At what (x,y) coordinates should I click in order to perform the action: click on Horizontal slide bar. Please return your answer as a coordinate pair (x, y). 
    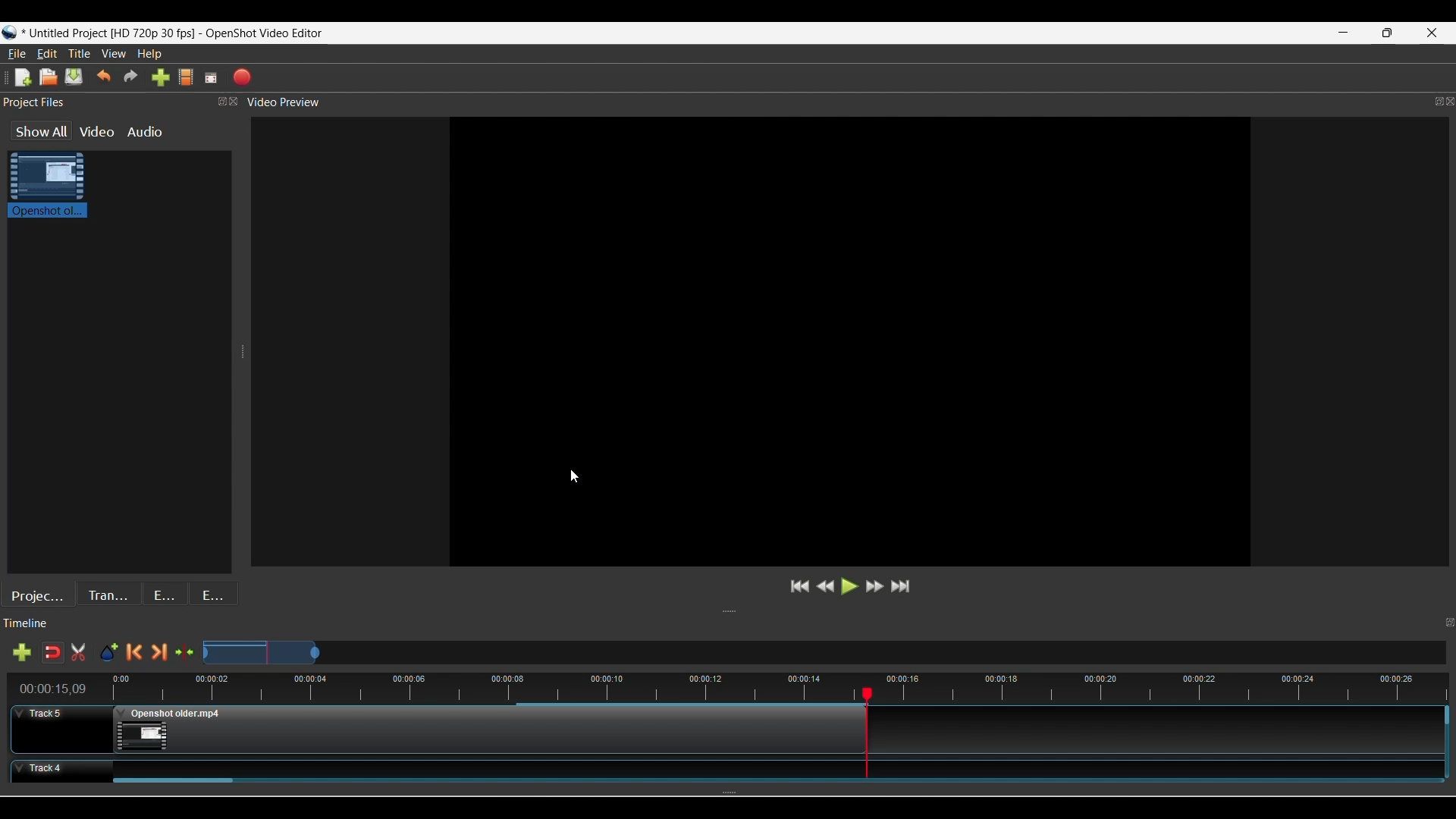
    Looking at the image, I should click on (173, 781).